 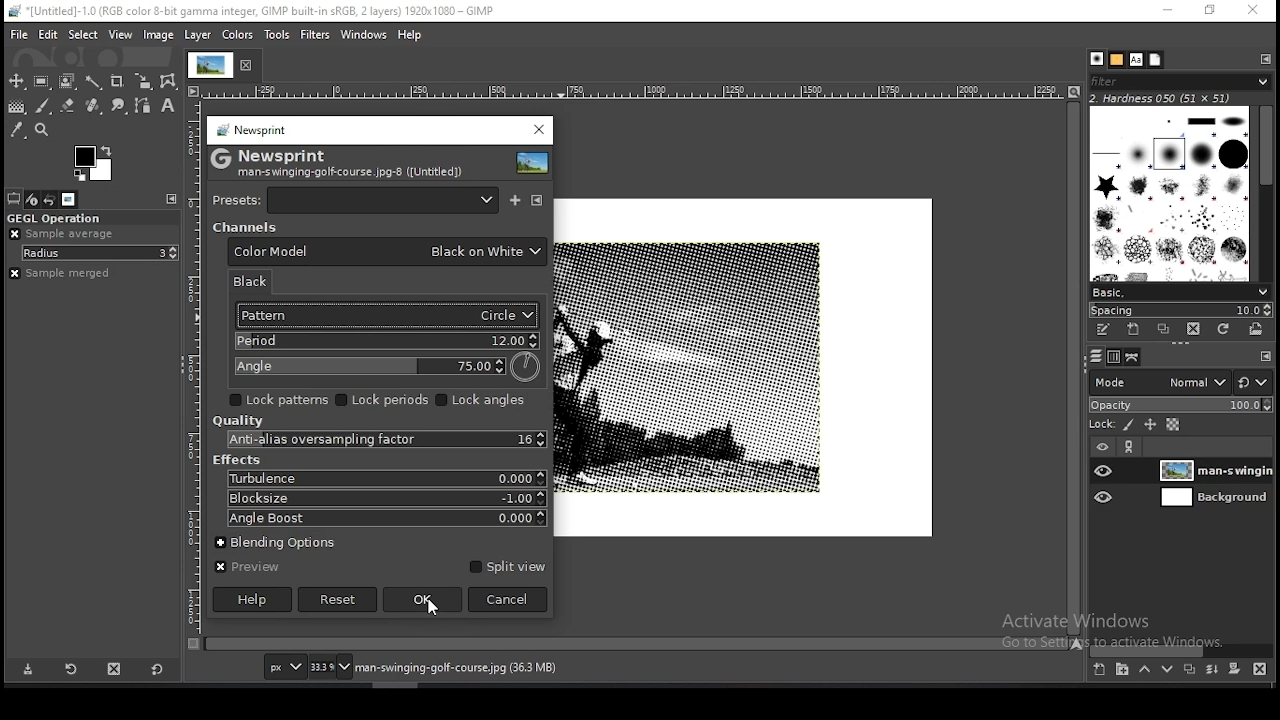 What do you see at coordinates (1190, 668) in the screenshot?
I see `duplicate layer` at bounding box center [1190, 668].